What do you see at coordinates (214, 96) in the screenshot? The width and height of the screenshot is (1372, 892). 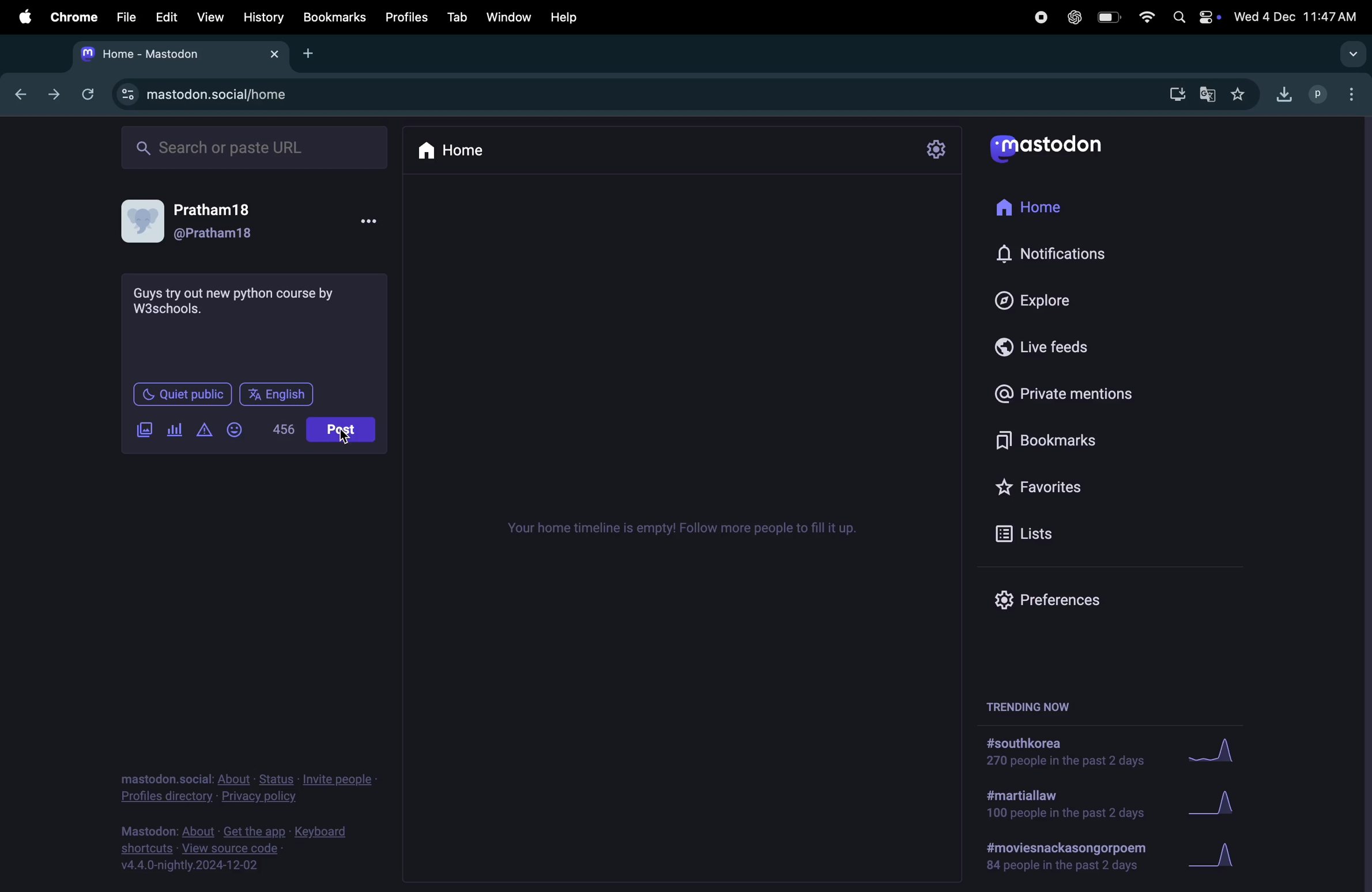 I see `mastodon social` at bounding box center [214, 96].